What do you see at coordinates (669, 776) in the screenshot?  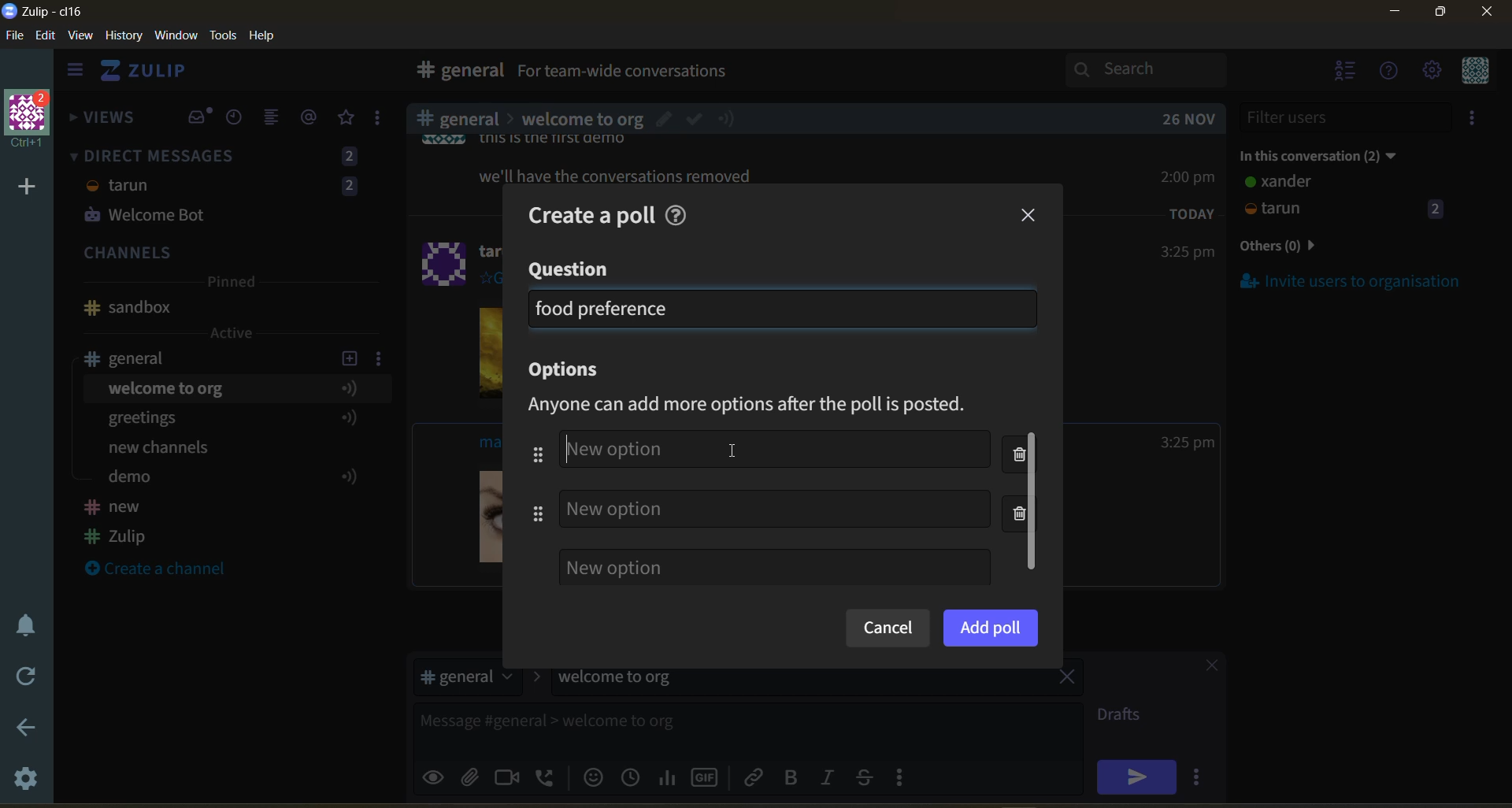 I see `poll` at bounding box center [669, 776].